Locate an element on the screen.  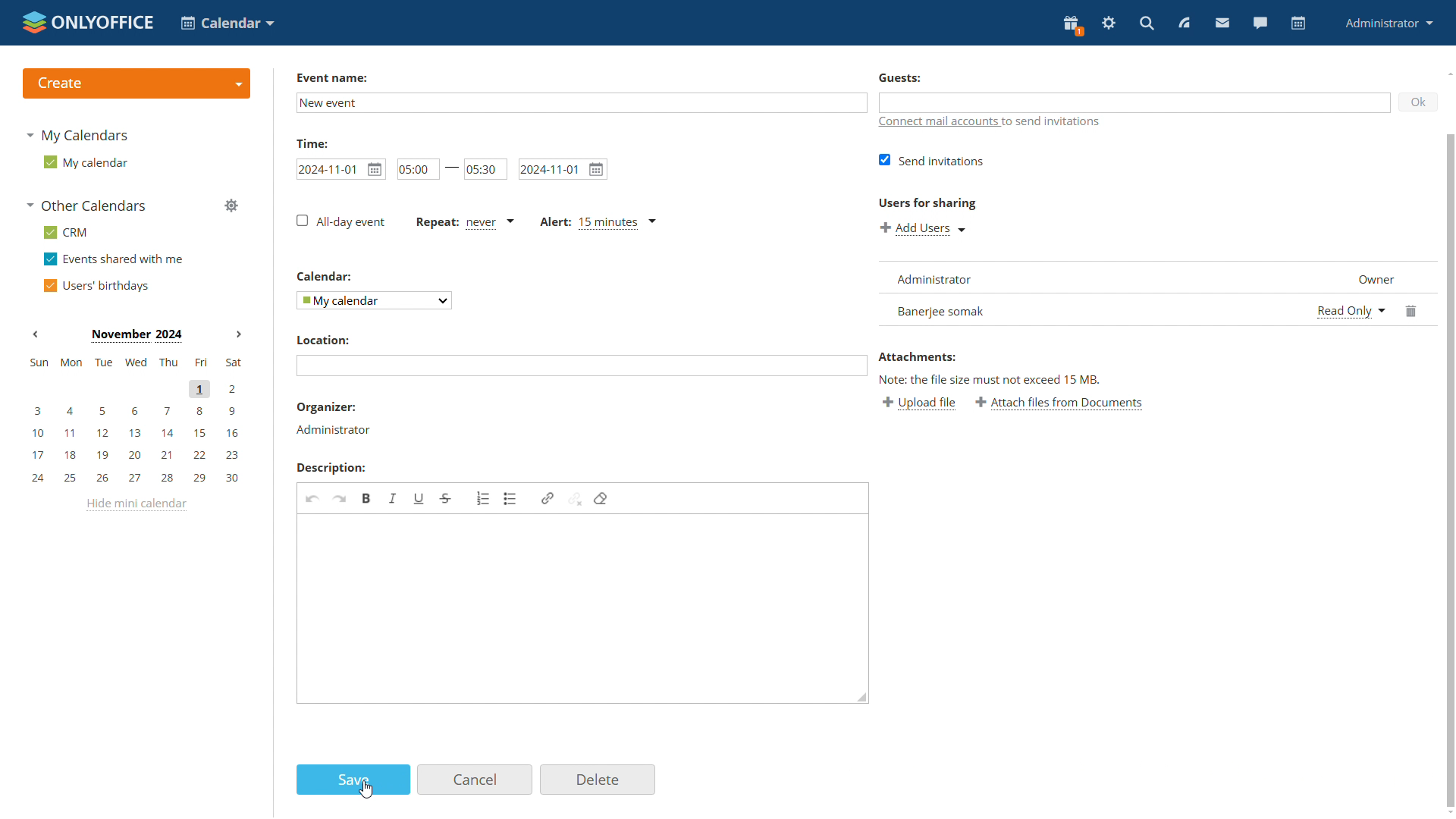
talk is located at coordinates (1260, 23).